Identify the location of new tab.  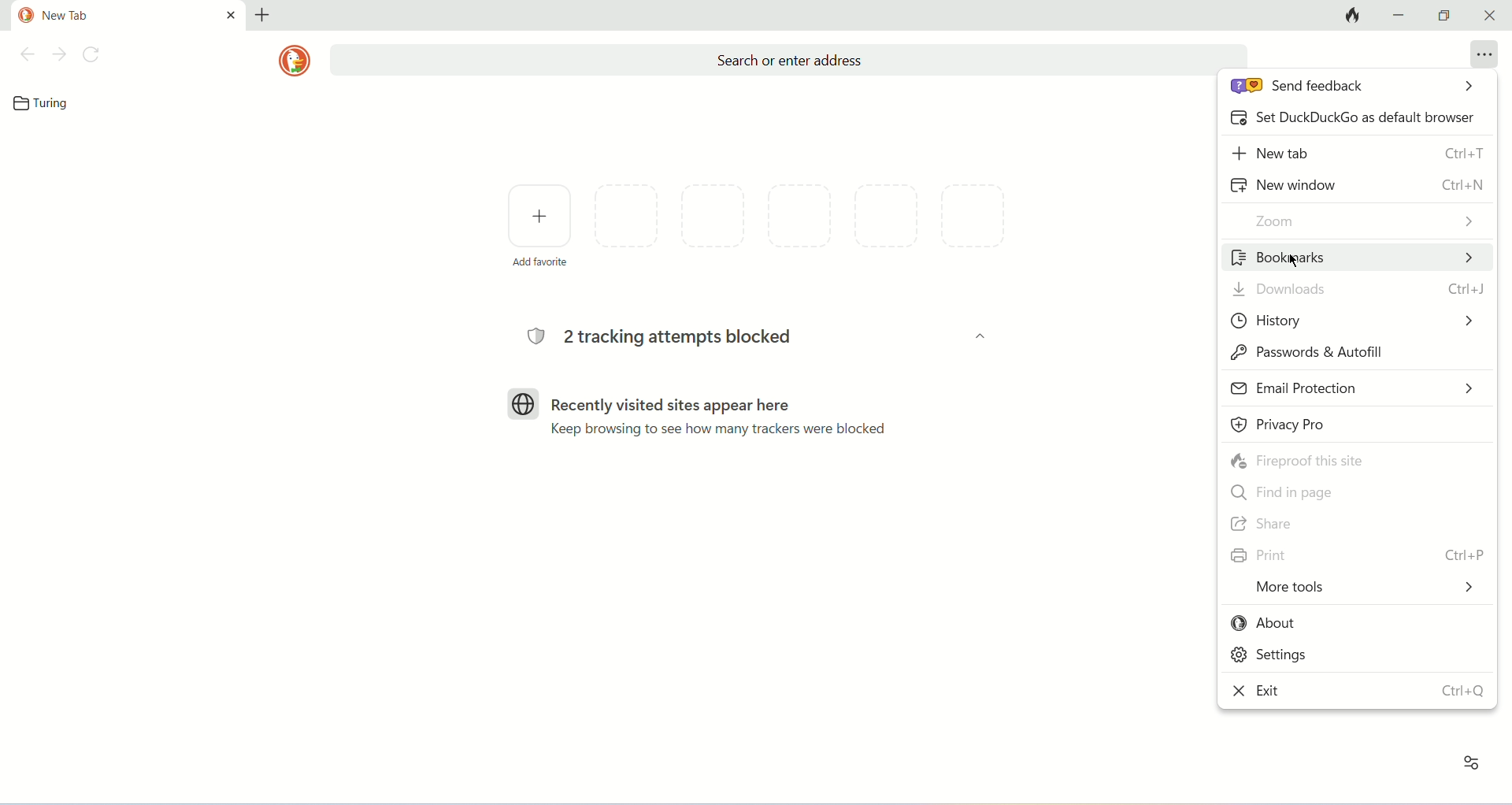
(1359, 154).